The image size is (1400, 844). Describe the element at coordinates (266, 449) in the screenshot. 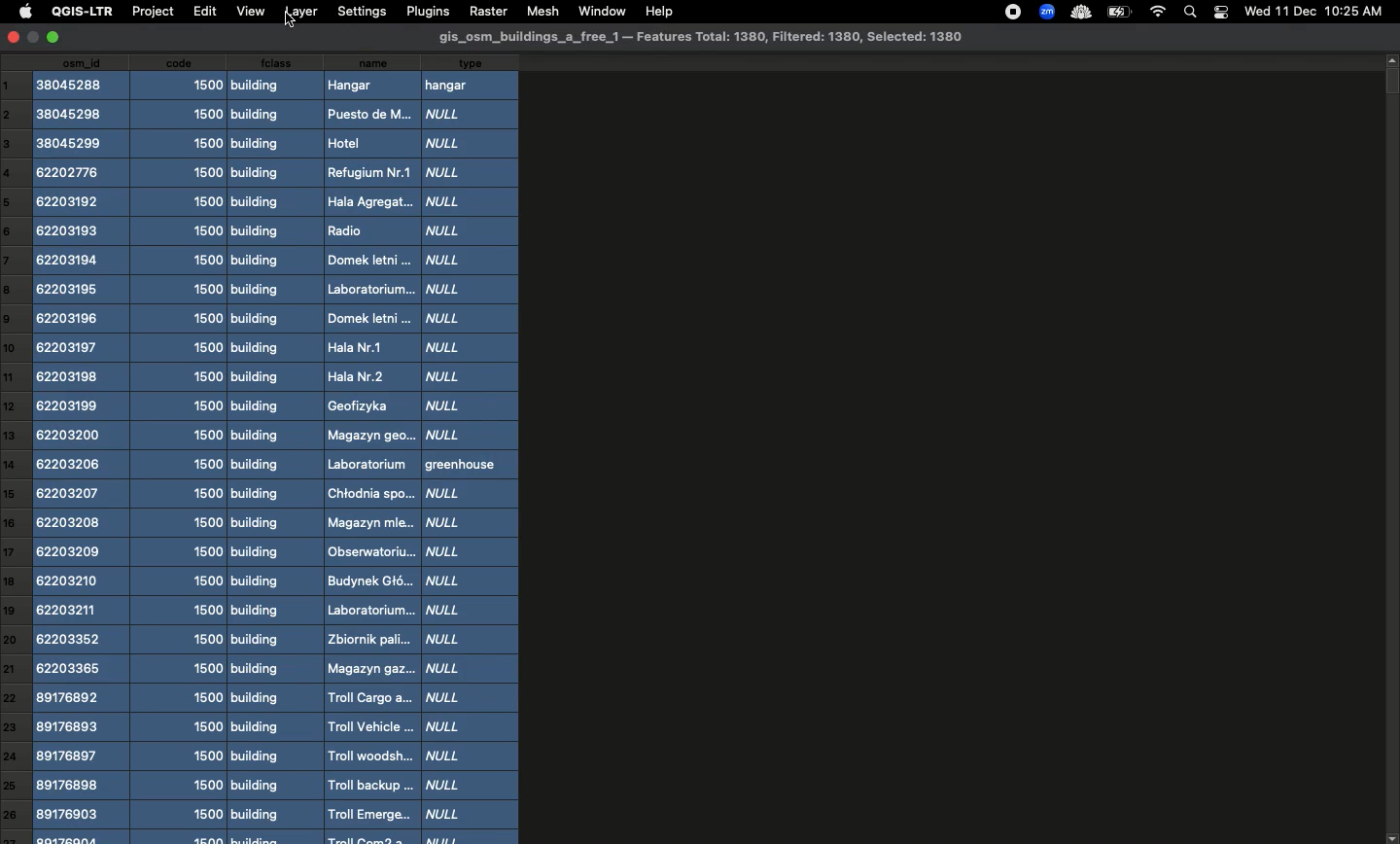

I see `class` at that location.